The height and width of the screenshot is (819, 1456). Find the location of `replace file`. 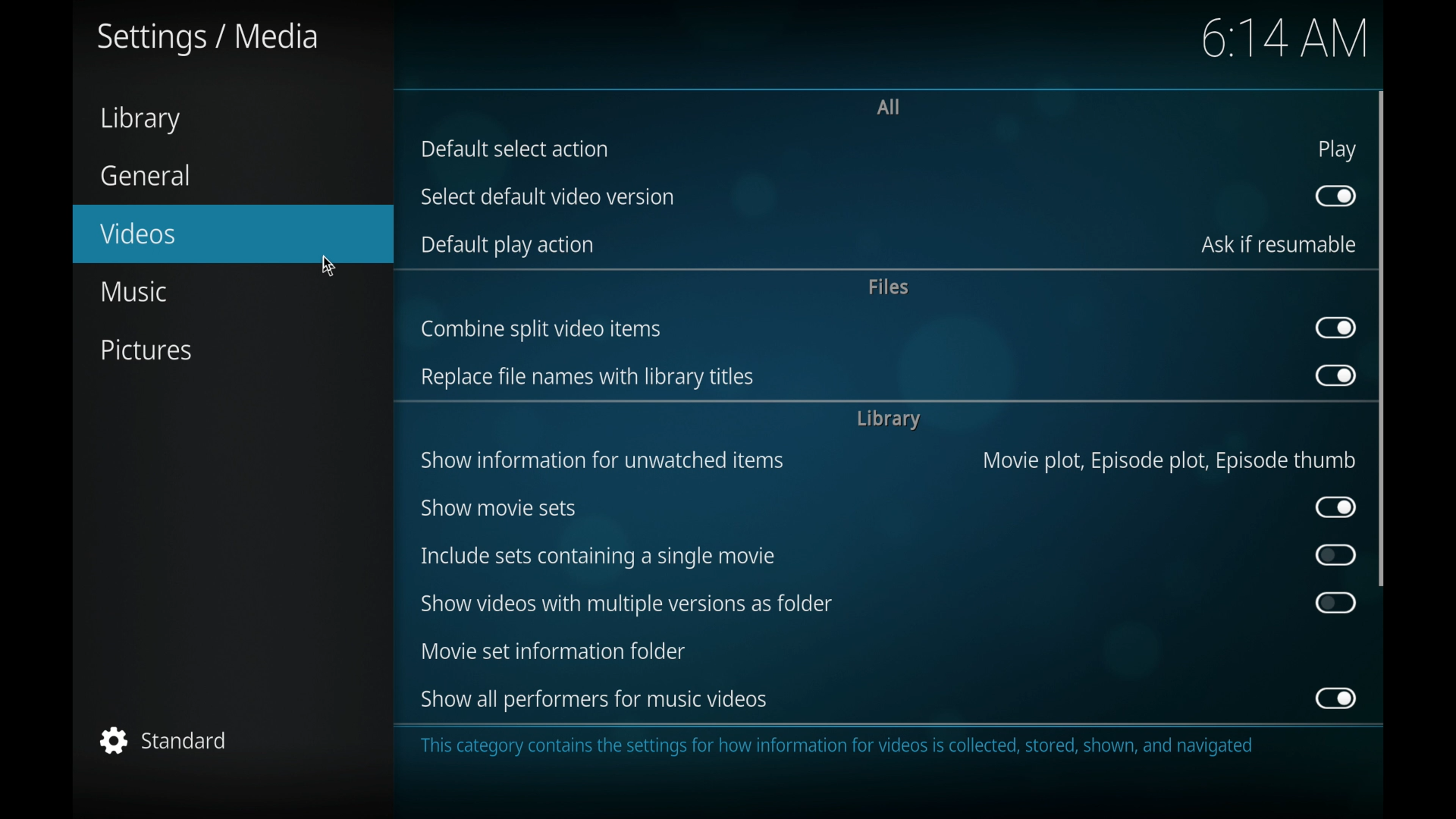

replace file is located at coordinates (587, 377).